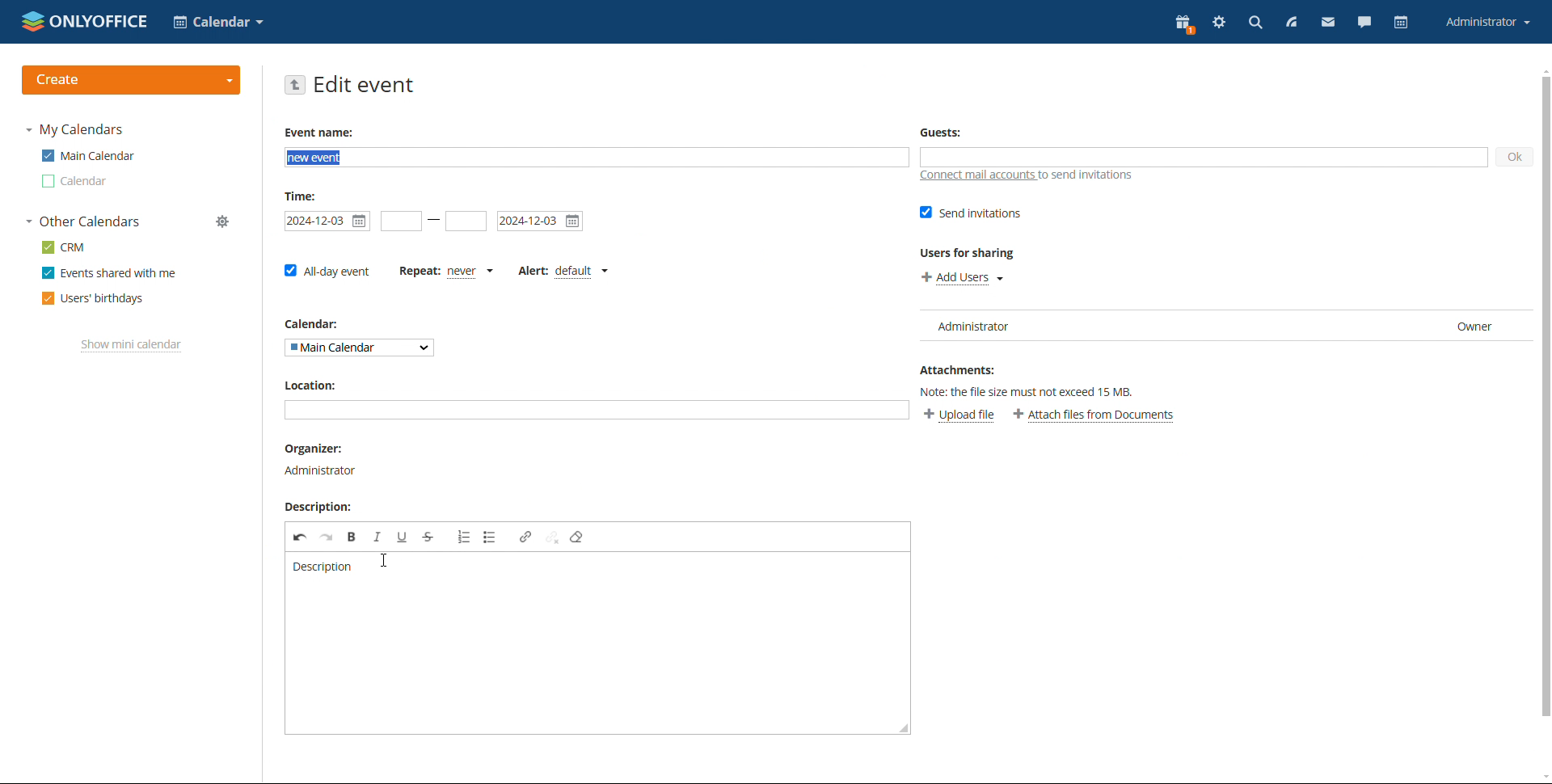 The height and width of the screenshot is (784, 1552). Describe the element at coordinates (579, 272) in the screenshot. I see `default` at that location.